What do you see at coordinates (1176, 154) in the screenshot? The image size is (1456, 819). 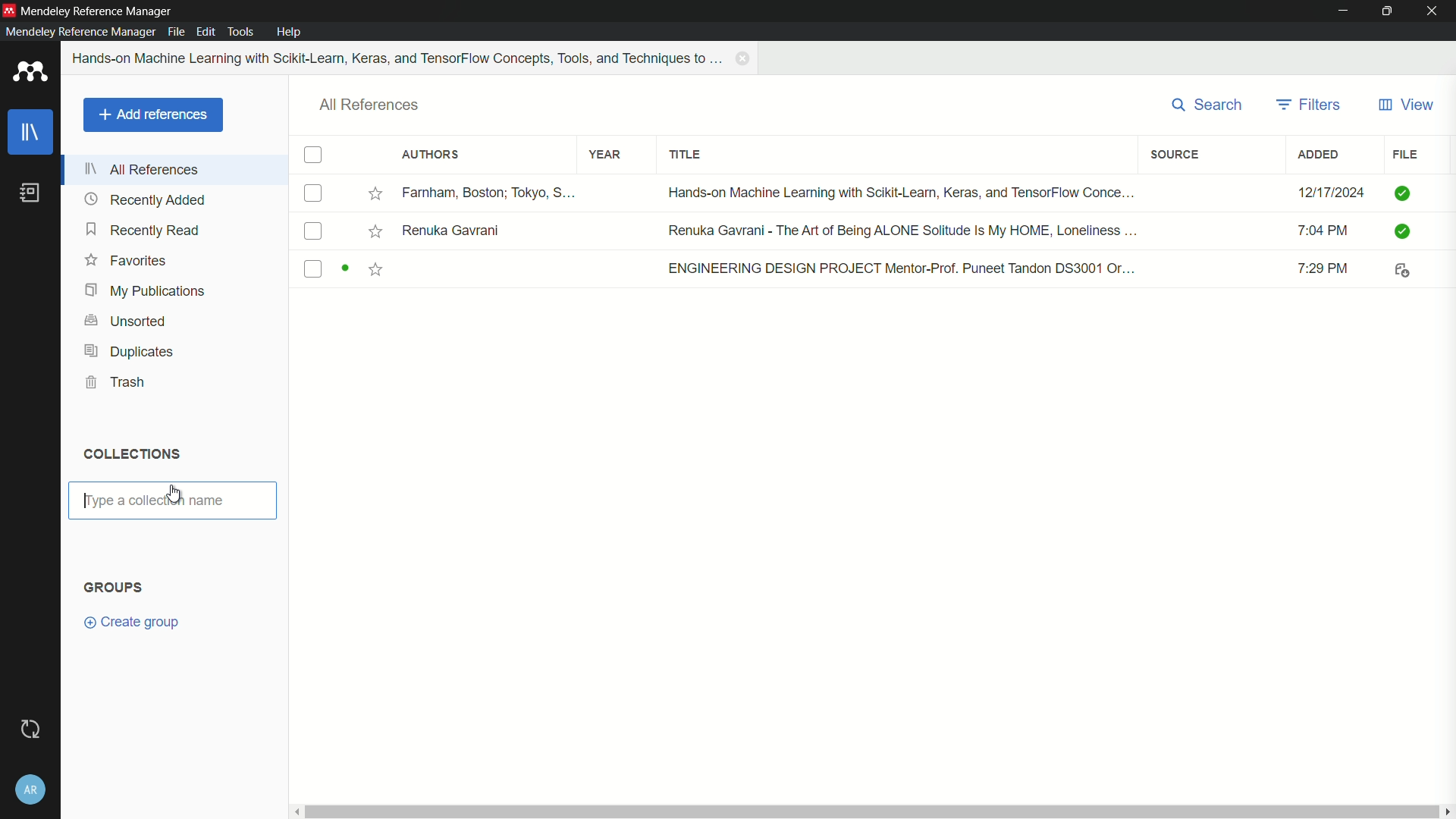 I see `source` at bounding box center [1176, 154].